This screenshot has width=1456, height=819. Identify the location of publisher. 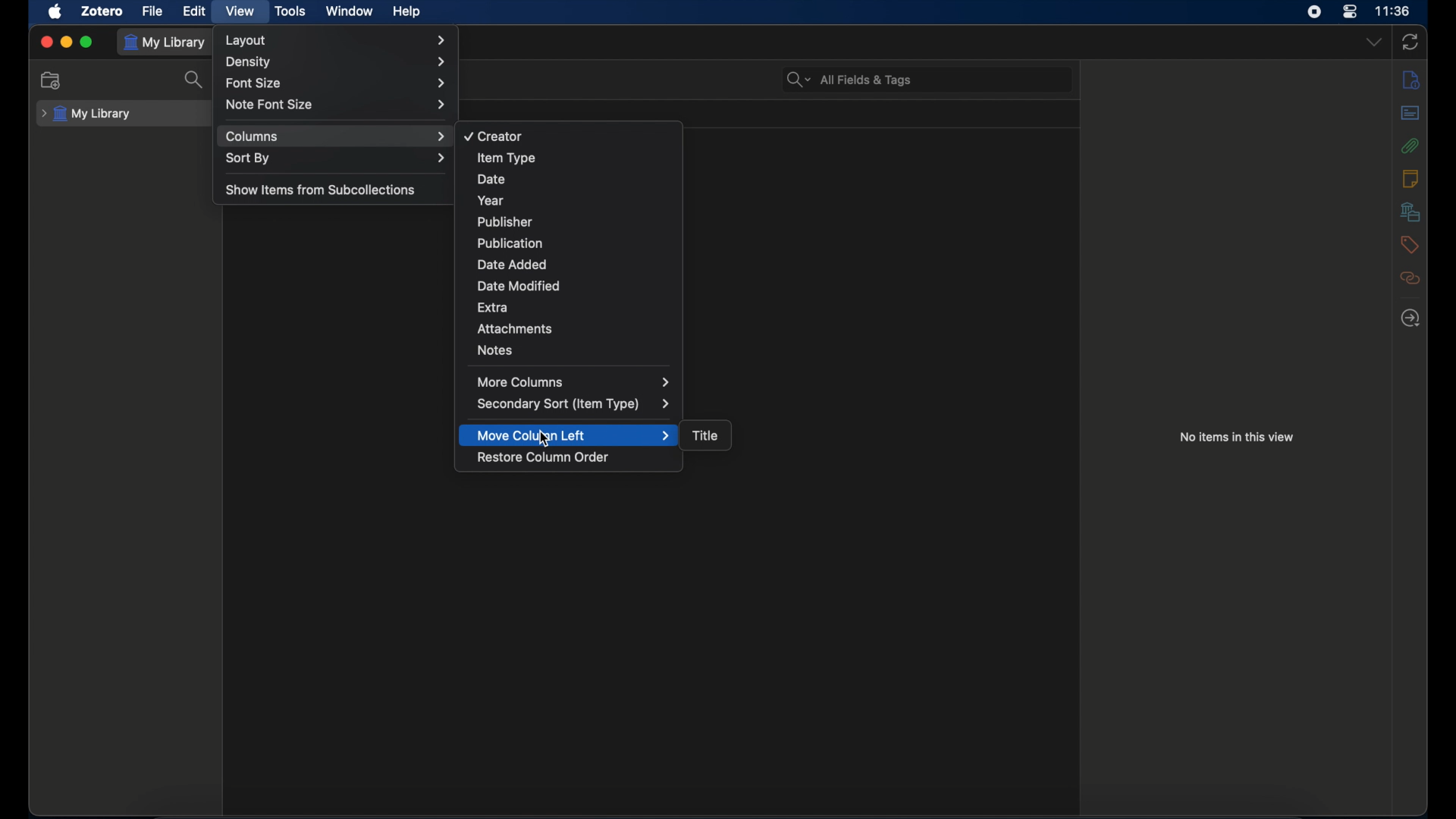
(504, 221).